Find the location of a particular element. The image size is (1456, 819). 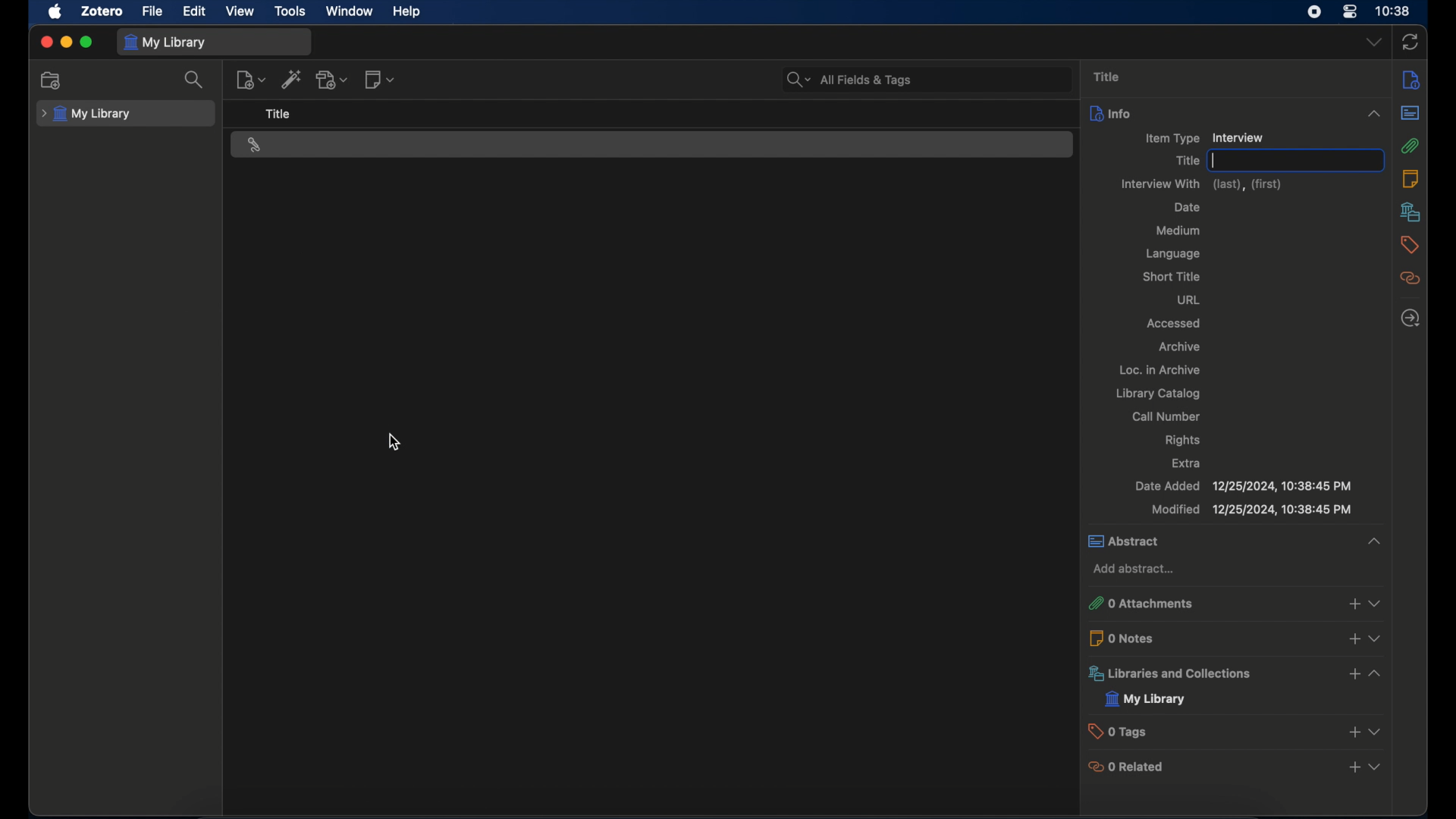

add is located at coordinates (1353, 673).